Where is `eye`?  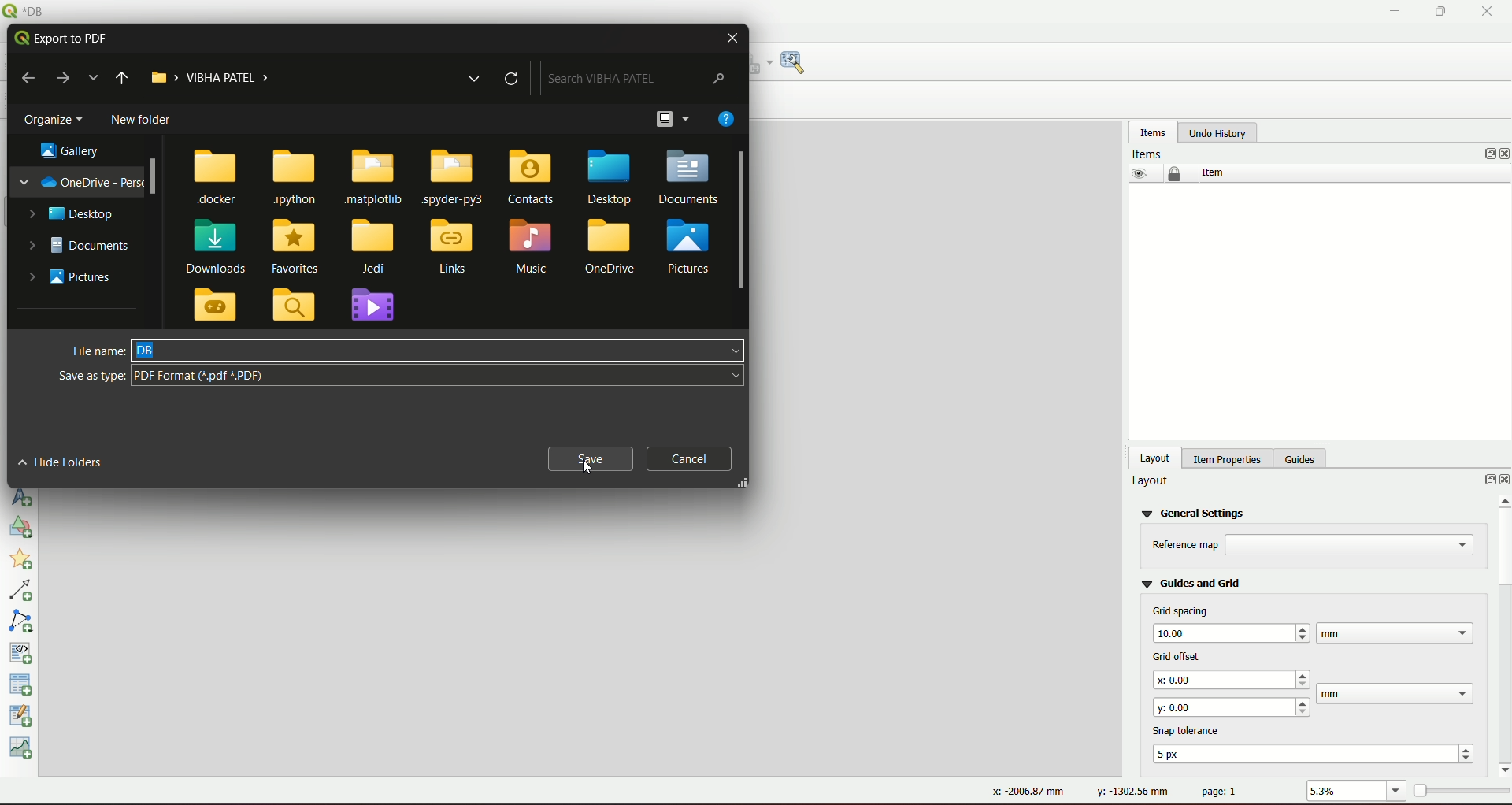
eye is located at coordinates (1137, 173).